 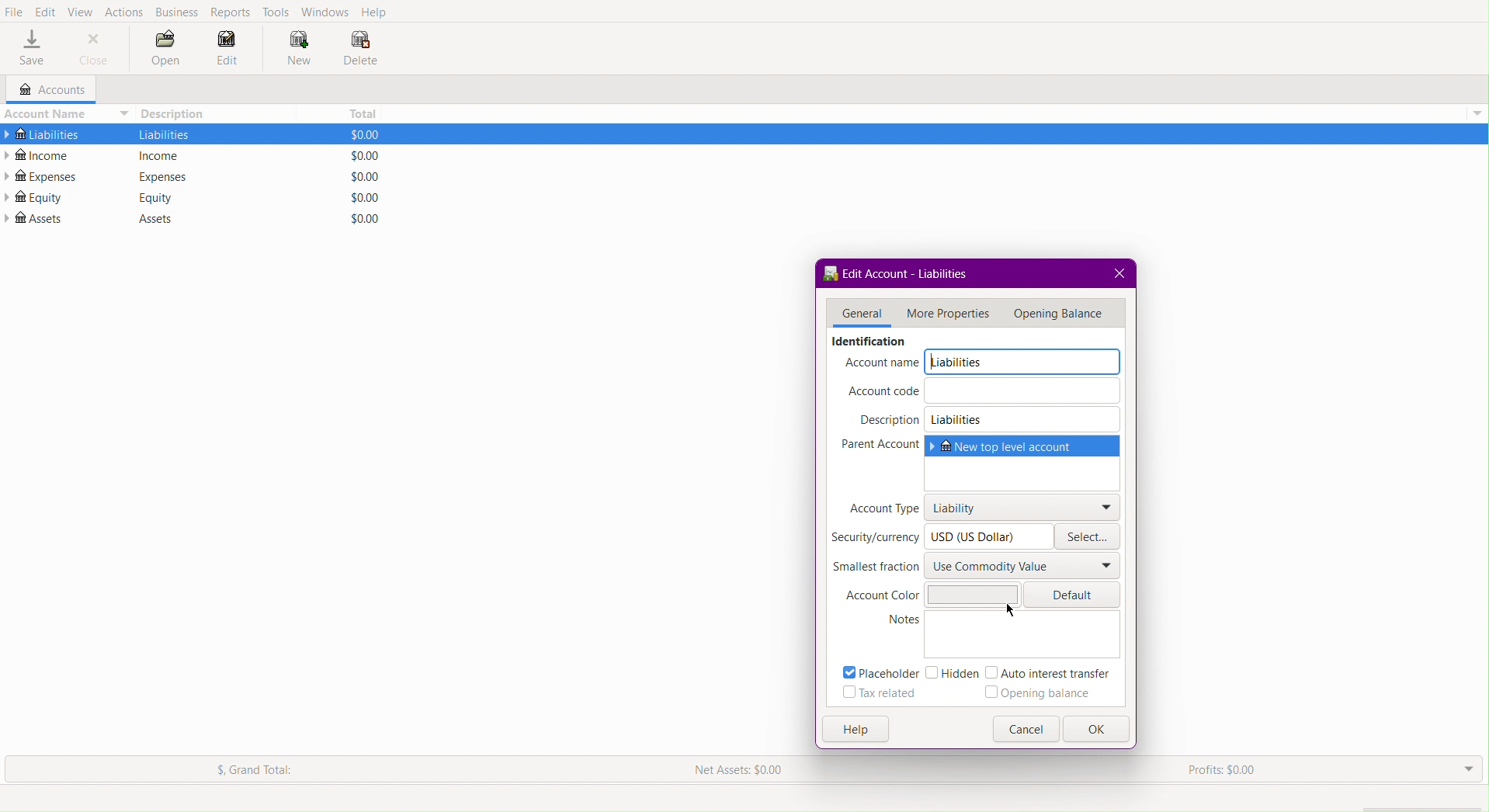 I want to click on Liability, so click(x=1023, y=507).